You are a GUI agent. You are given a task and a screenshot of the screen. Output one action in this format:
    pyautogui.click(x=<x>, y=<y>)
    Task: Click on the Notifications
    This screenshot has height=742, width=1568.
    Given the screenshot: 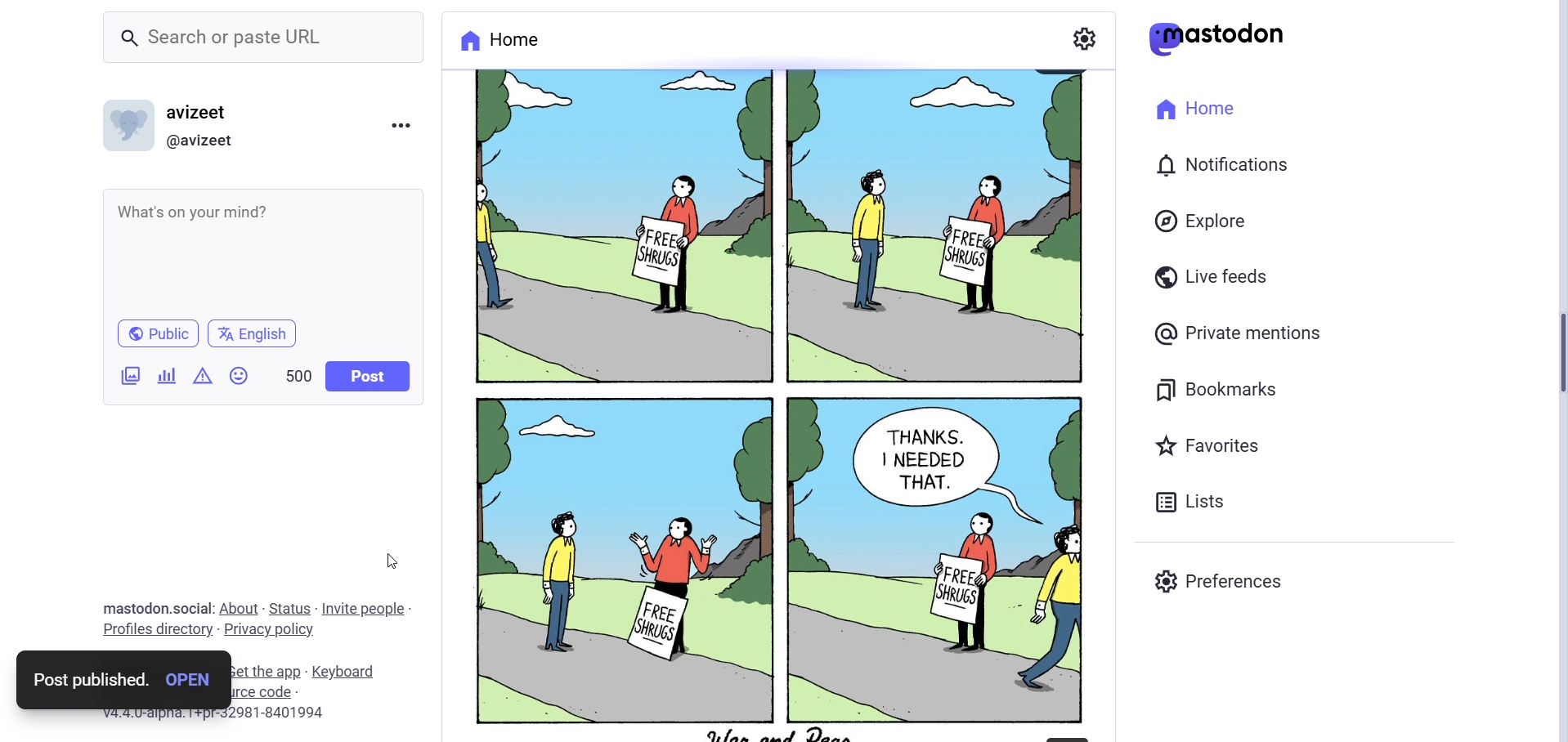 What is the action you would take?
    pyautogui.click(x=1225, y=165)
    